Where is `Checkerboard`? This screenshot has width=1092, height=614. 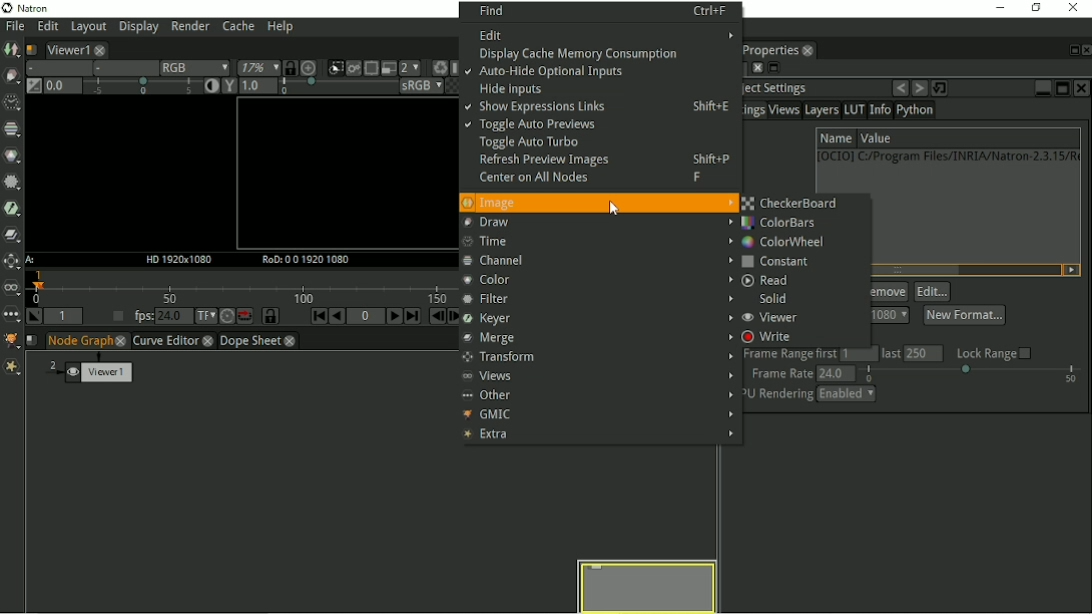
Checkerboard is located at coordinates (793, 203).